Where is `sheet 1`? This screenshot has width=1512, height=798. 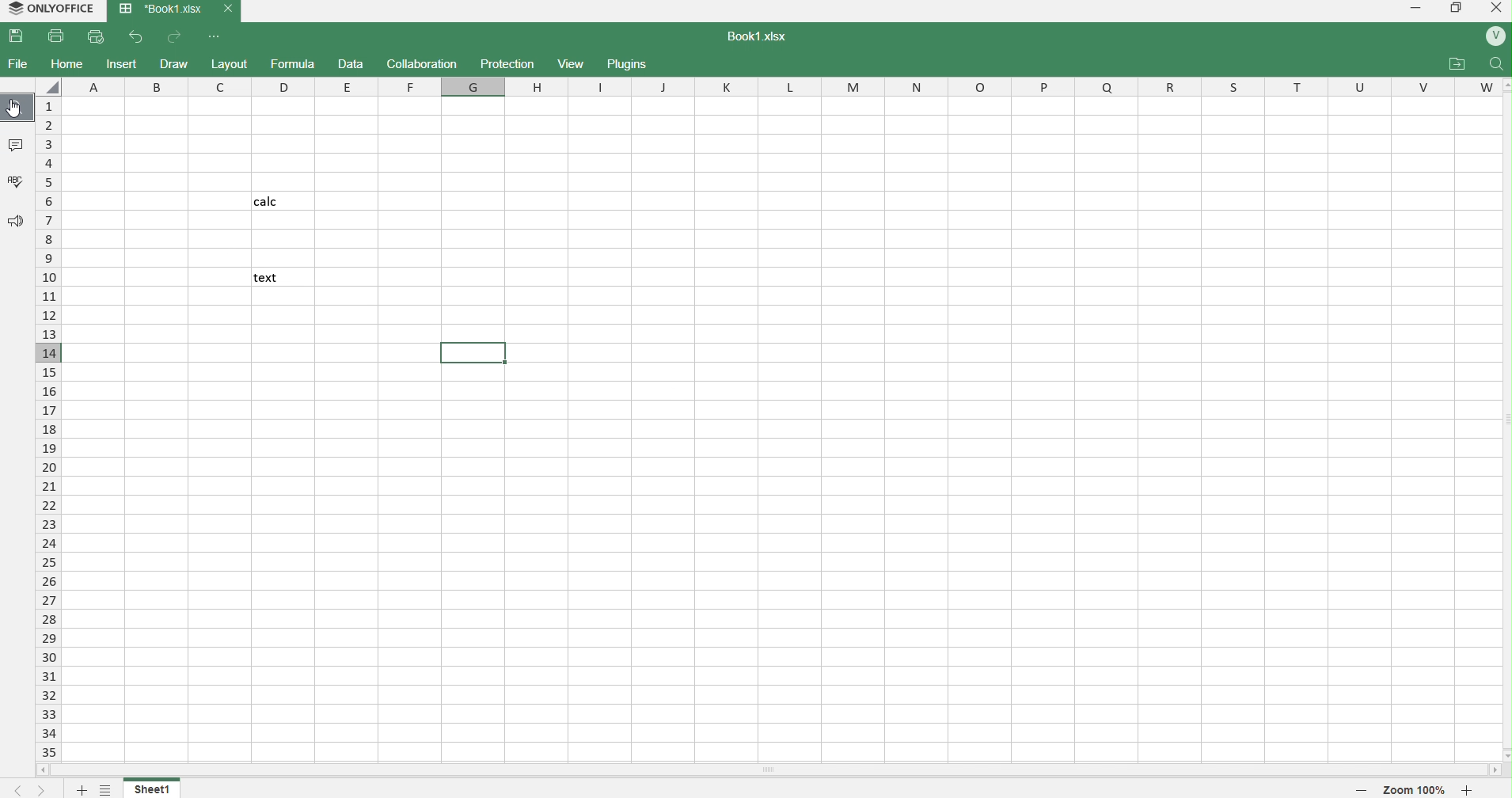 sheet 1 is located at coordinates (153, 786).